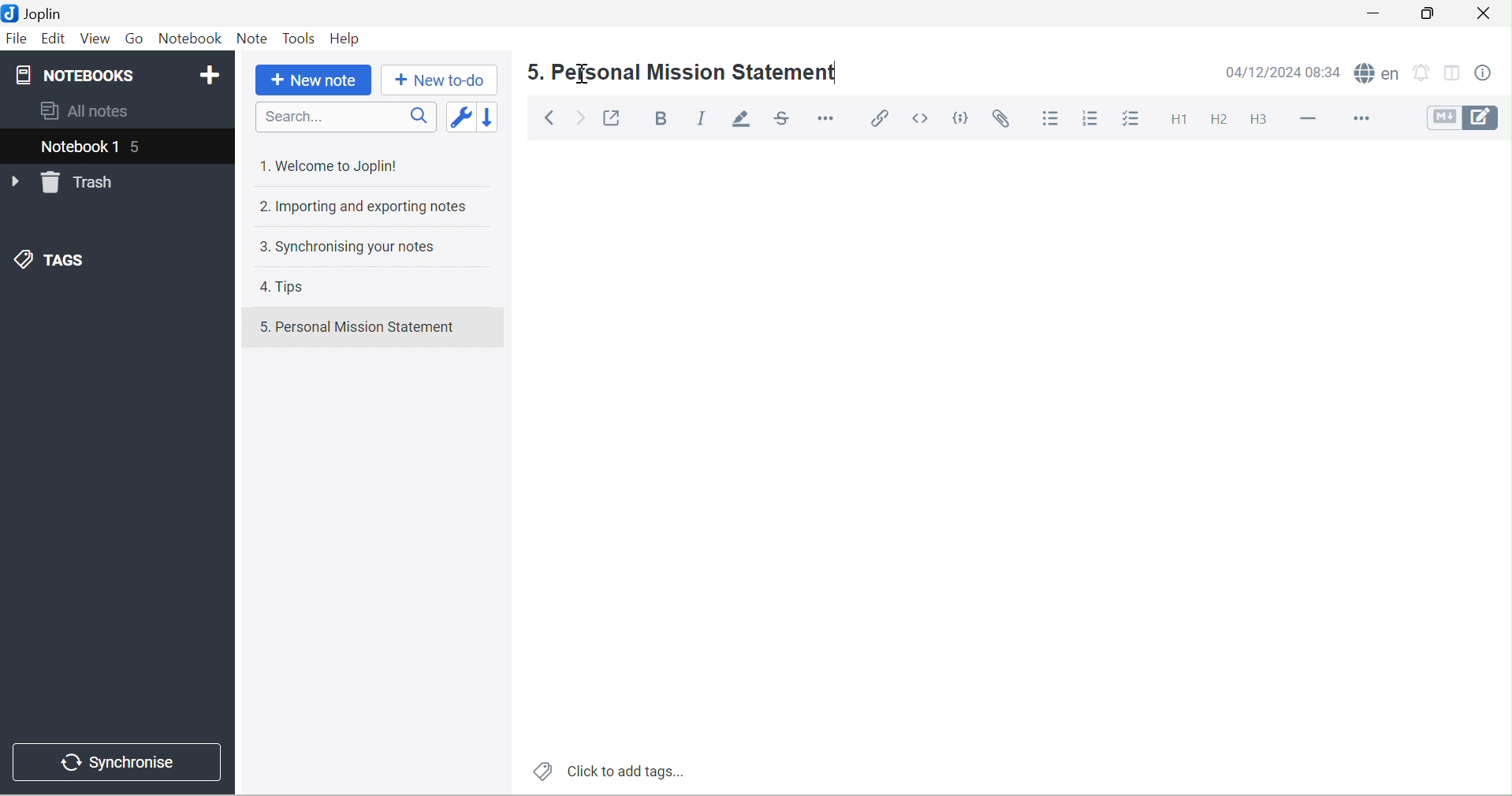  What do you see at coordinates (961, 117) in the screenshot?
I see `Code` at bounding box center [961, 117].